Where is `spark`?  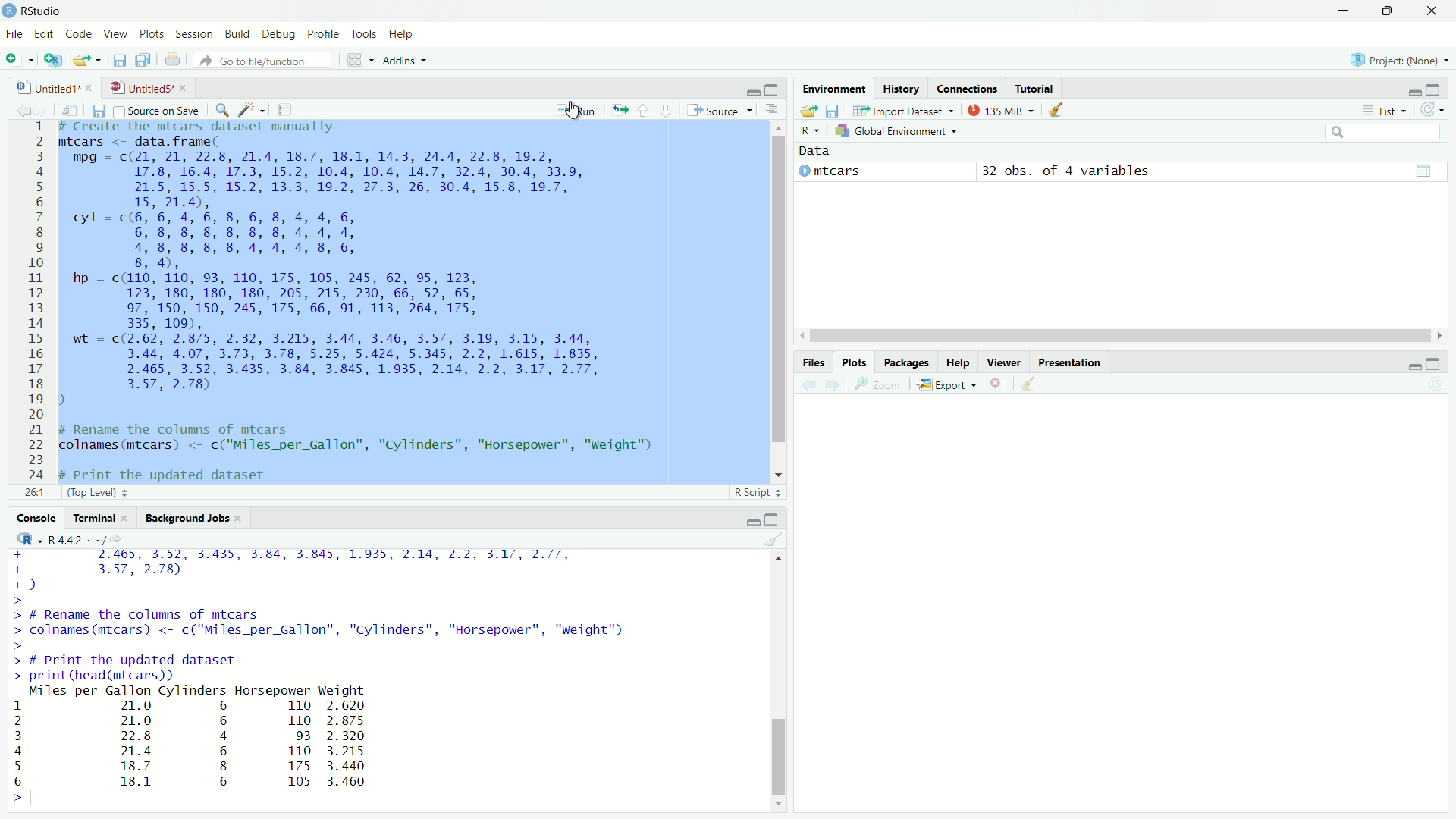 spark is located at coordinates (249, 107).